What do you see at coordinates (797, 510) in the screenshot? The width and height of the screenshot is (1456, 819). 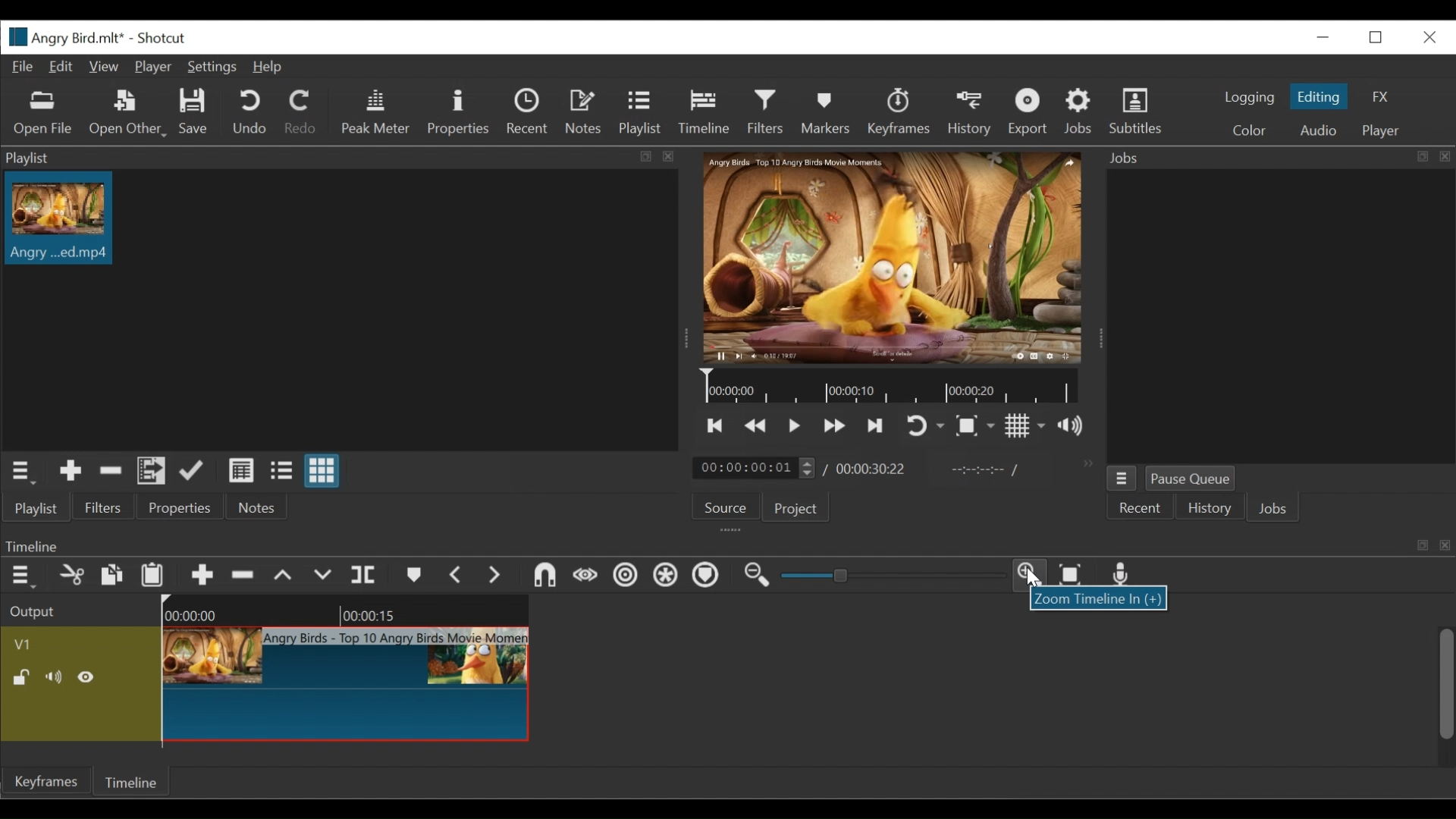 I see `Project` at bounding box center [797, 510].